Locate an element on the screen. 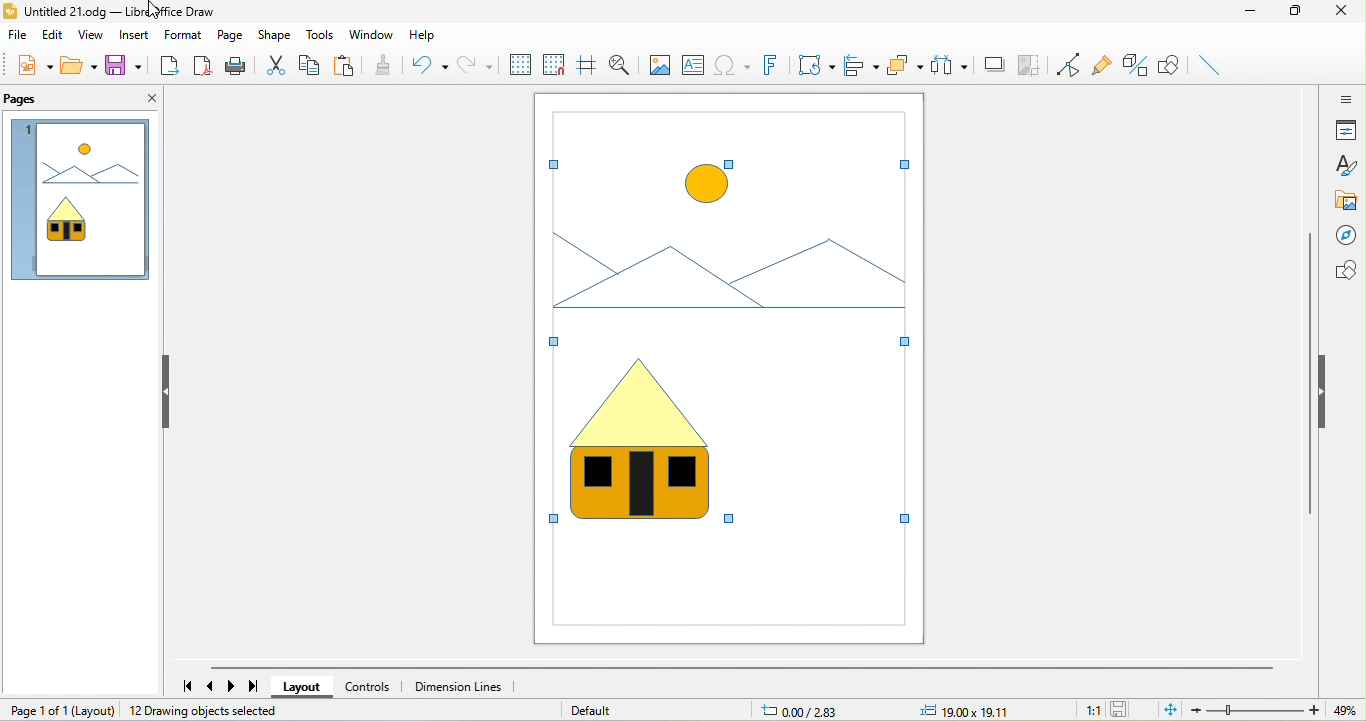 This screenshot has width=1366, height=722. vertical slider is located at coordinates (1310, 373).